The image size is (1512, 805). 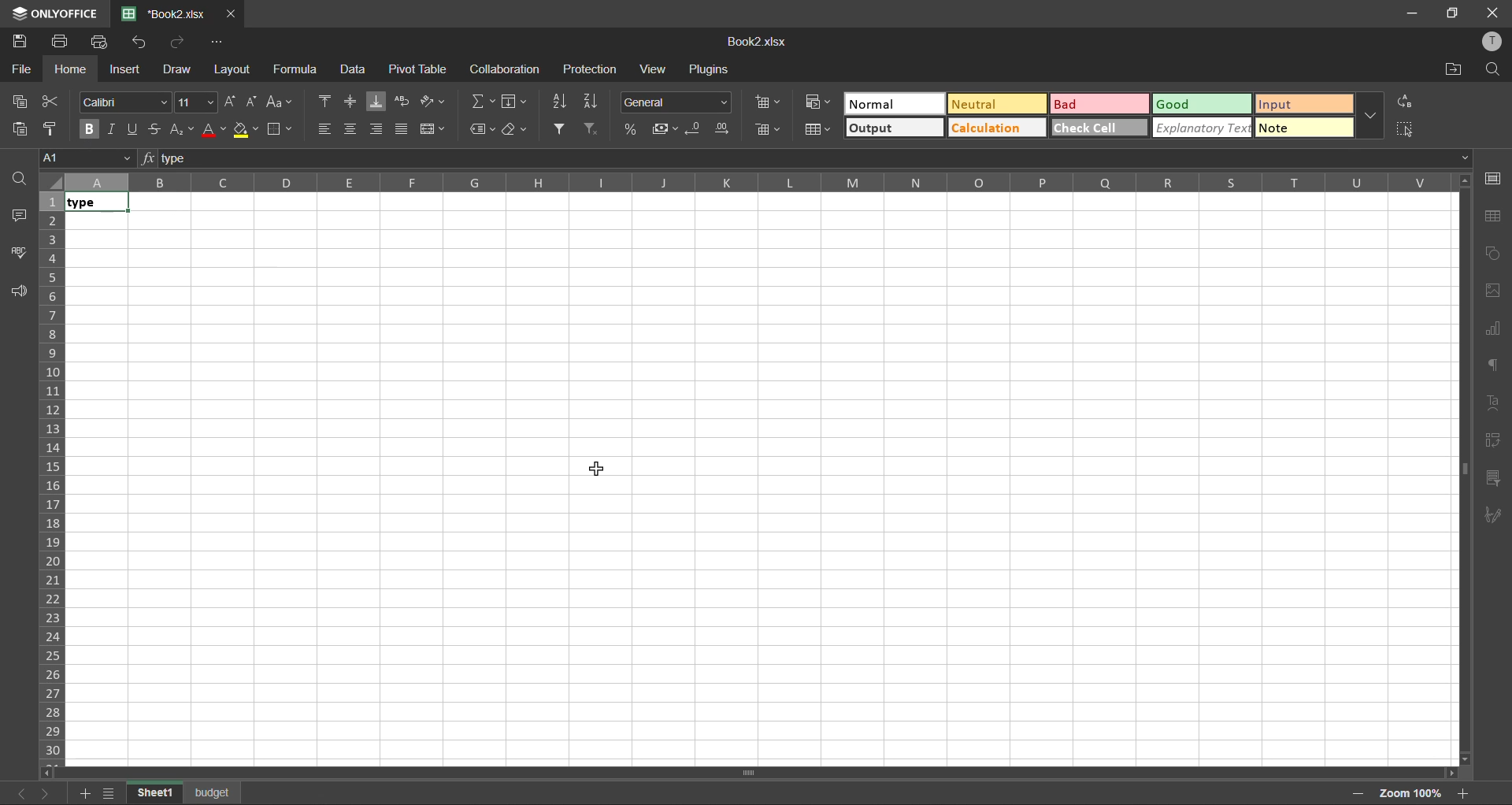 I want to click on normal, so click(x=897, y=103).